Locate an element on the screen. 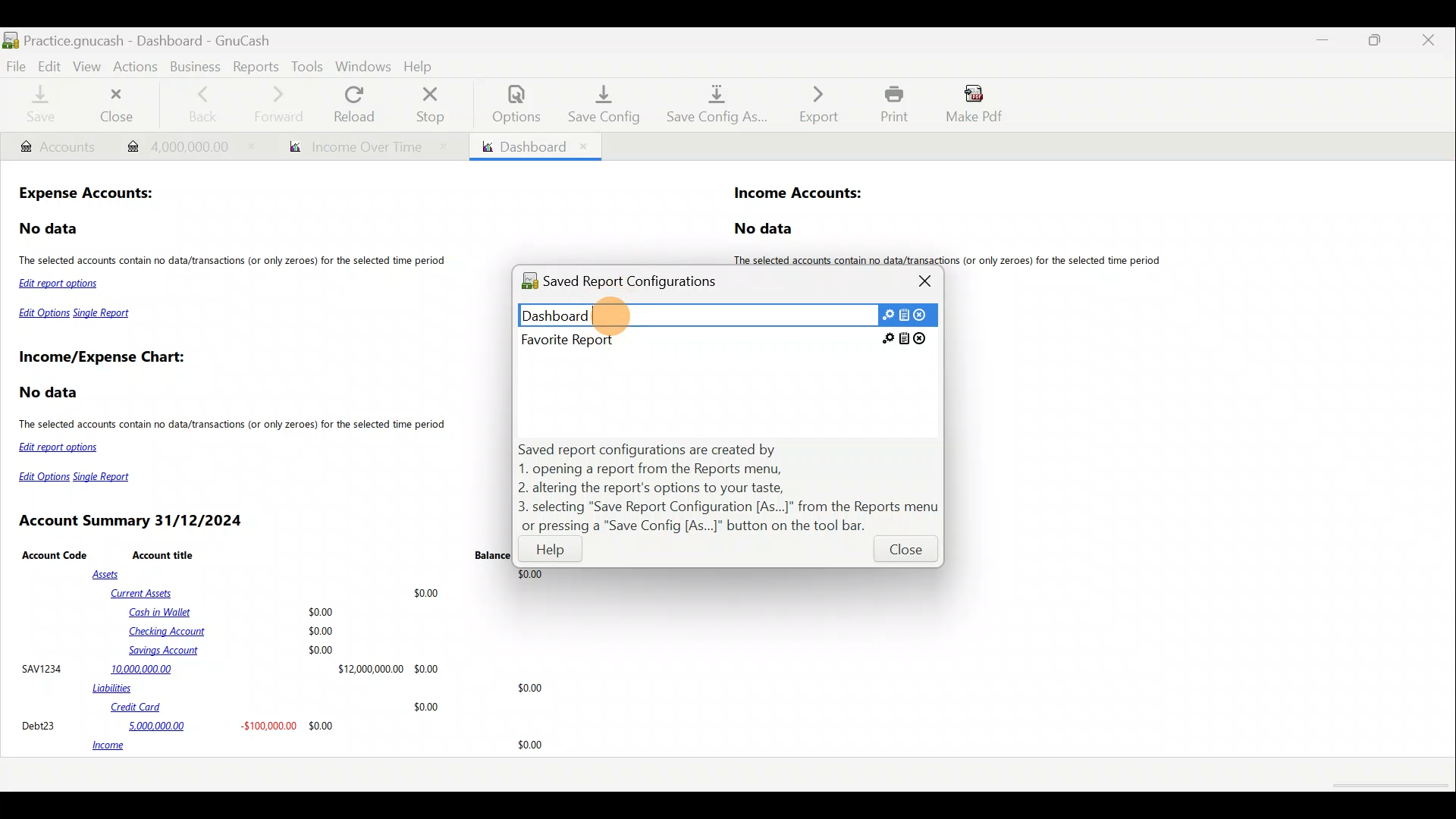  Close is located at coordinates (927, 281).